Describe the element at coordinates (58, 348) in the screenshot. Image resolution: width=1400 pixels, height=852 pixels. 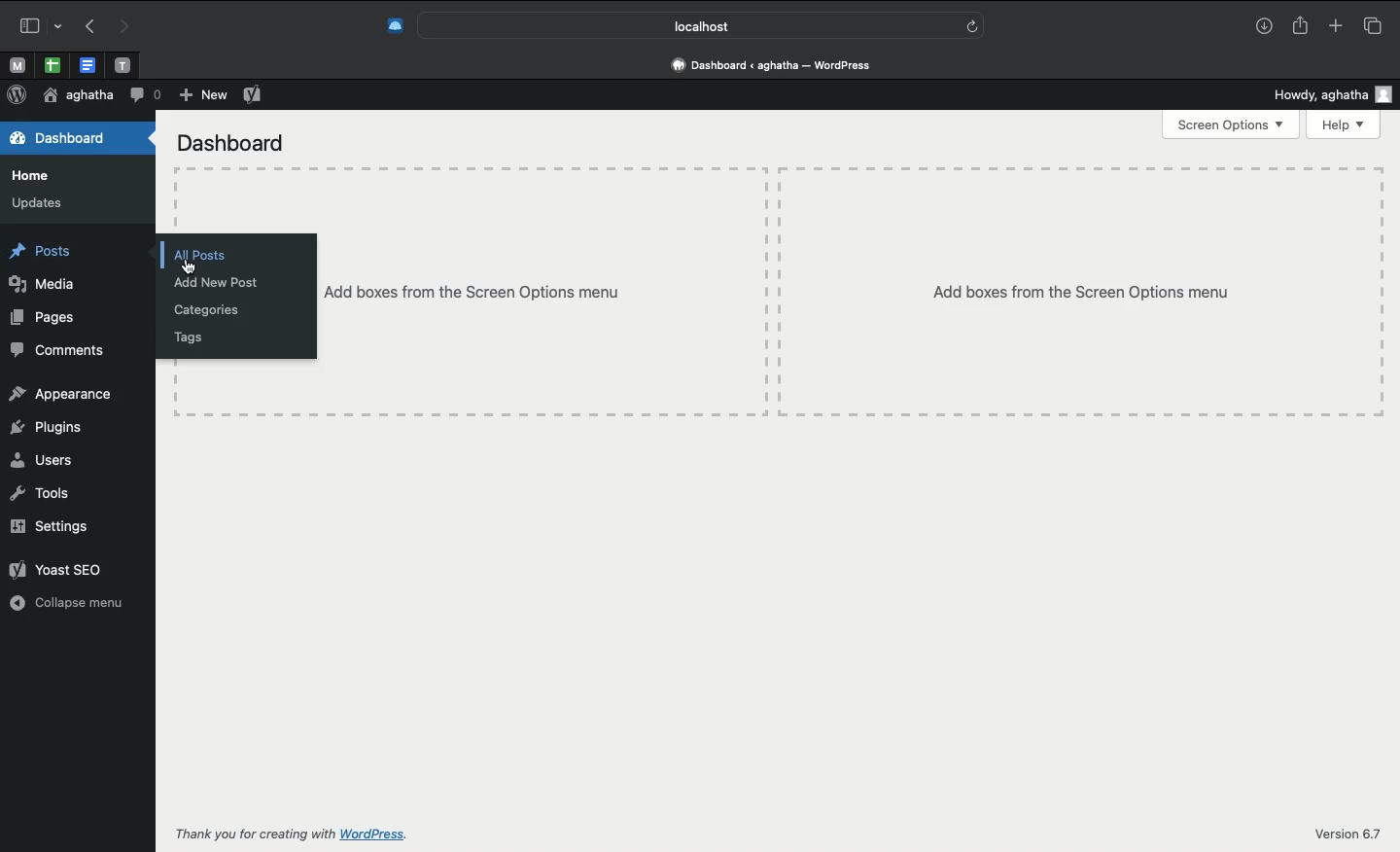
I see `Comments` at that location.